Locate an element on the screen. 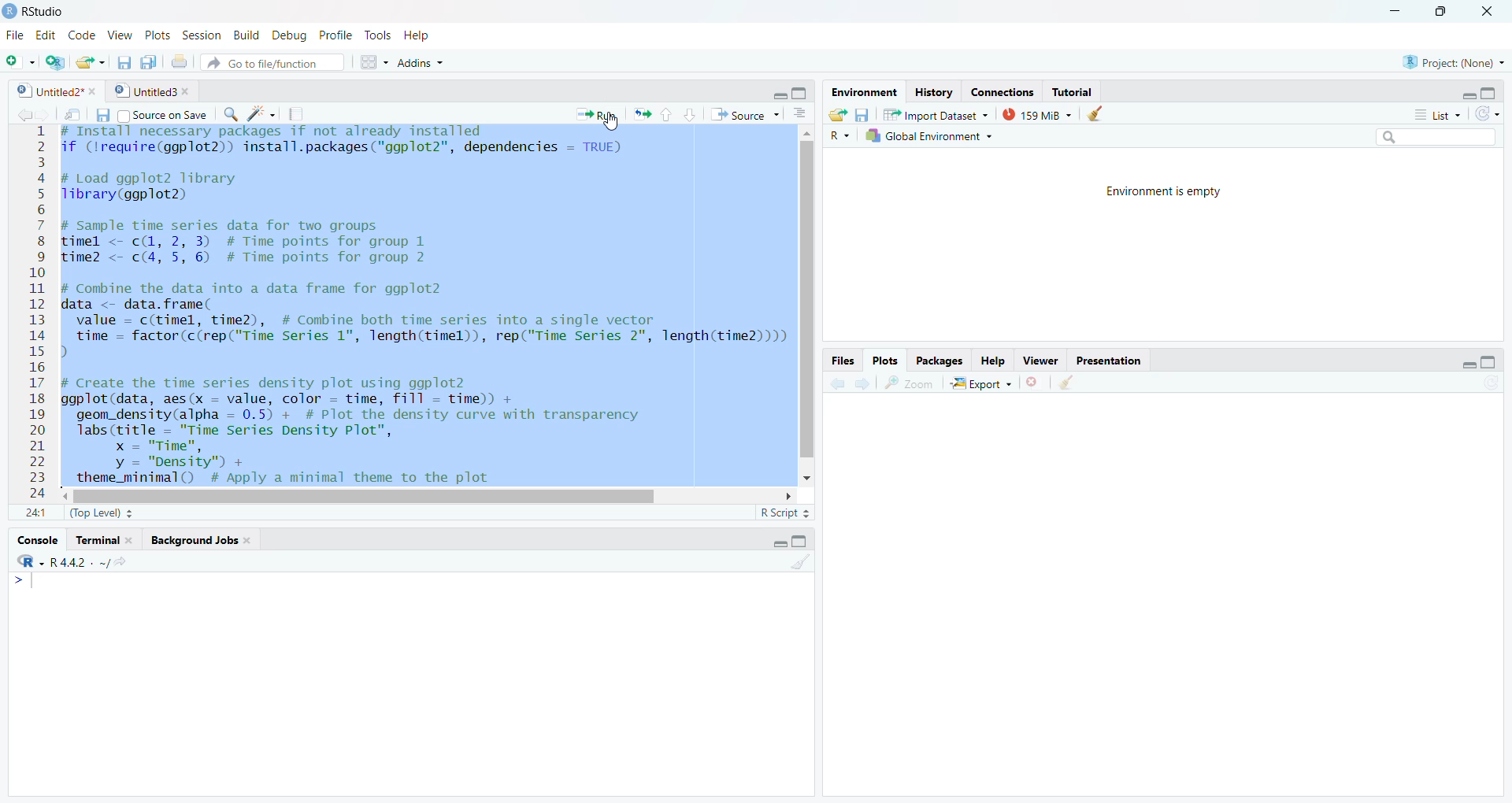 The width and height of the screenshot is (1512, 803). Help is located at coordinates (419, 35).